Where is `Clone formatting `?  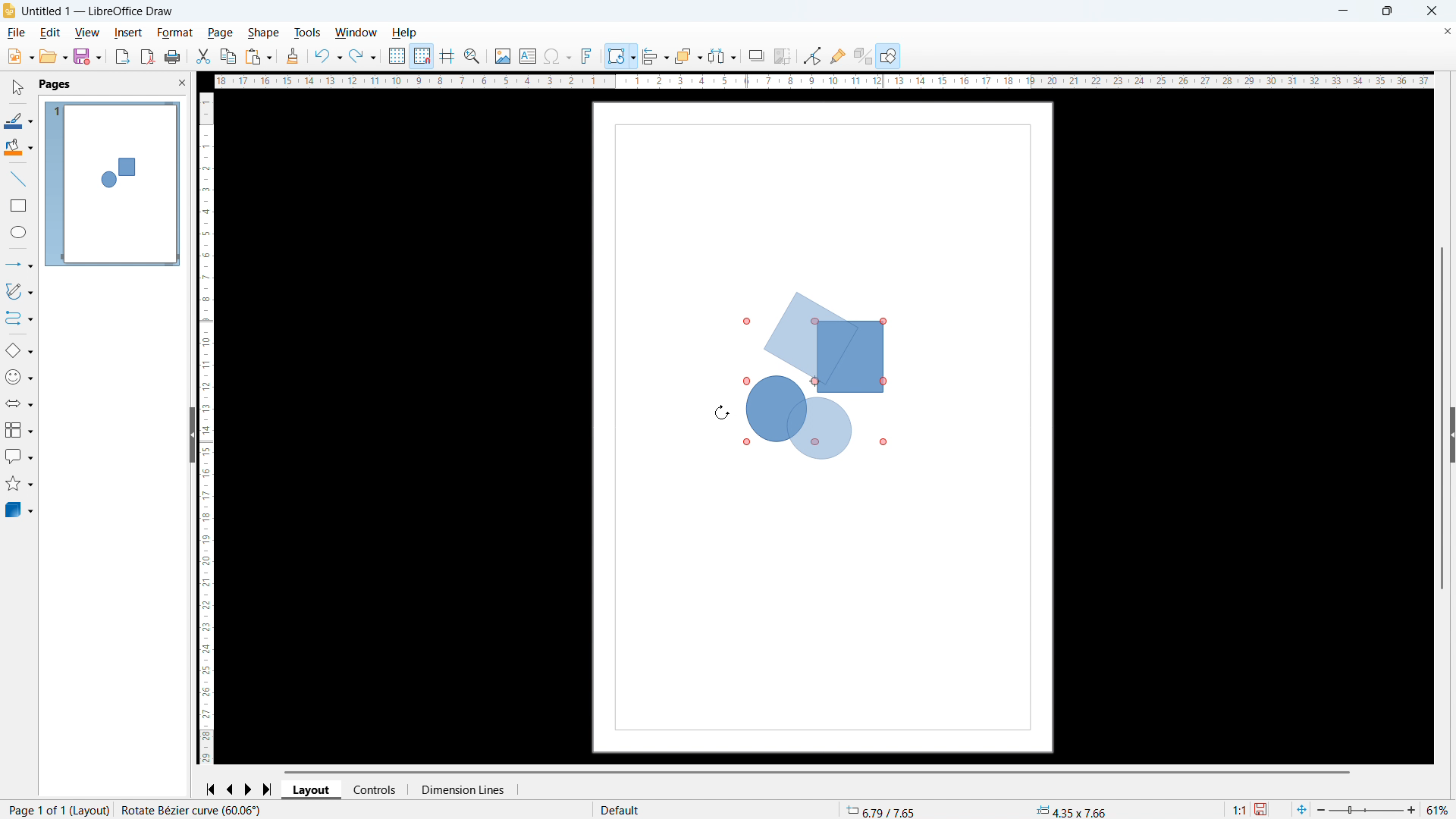 Clone formatting  is located at coordinates (293, 56).